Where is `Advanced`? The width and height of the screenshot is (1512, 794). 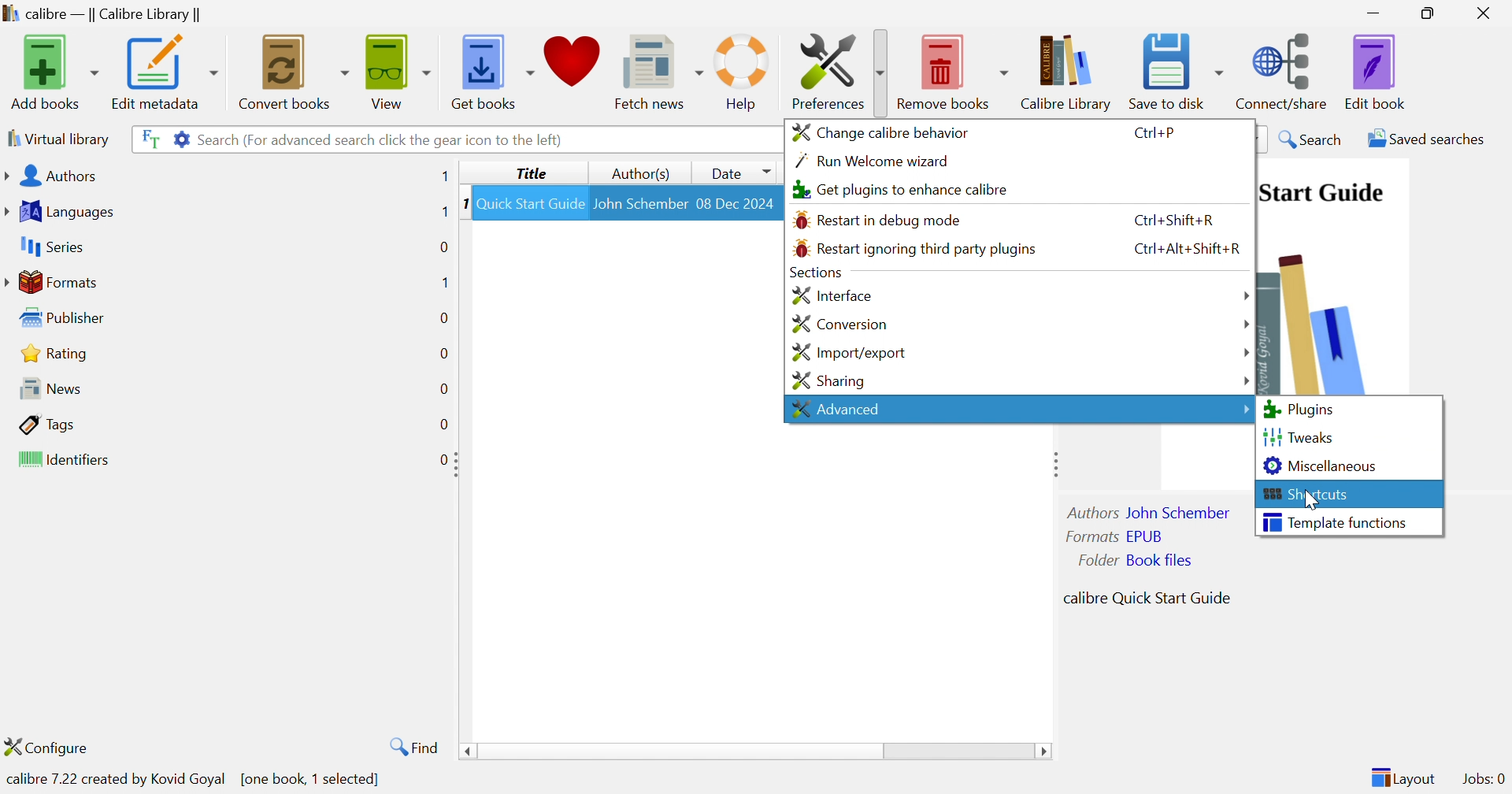
Advanced is located at coordinates (835, 408).